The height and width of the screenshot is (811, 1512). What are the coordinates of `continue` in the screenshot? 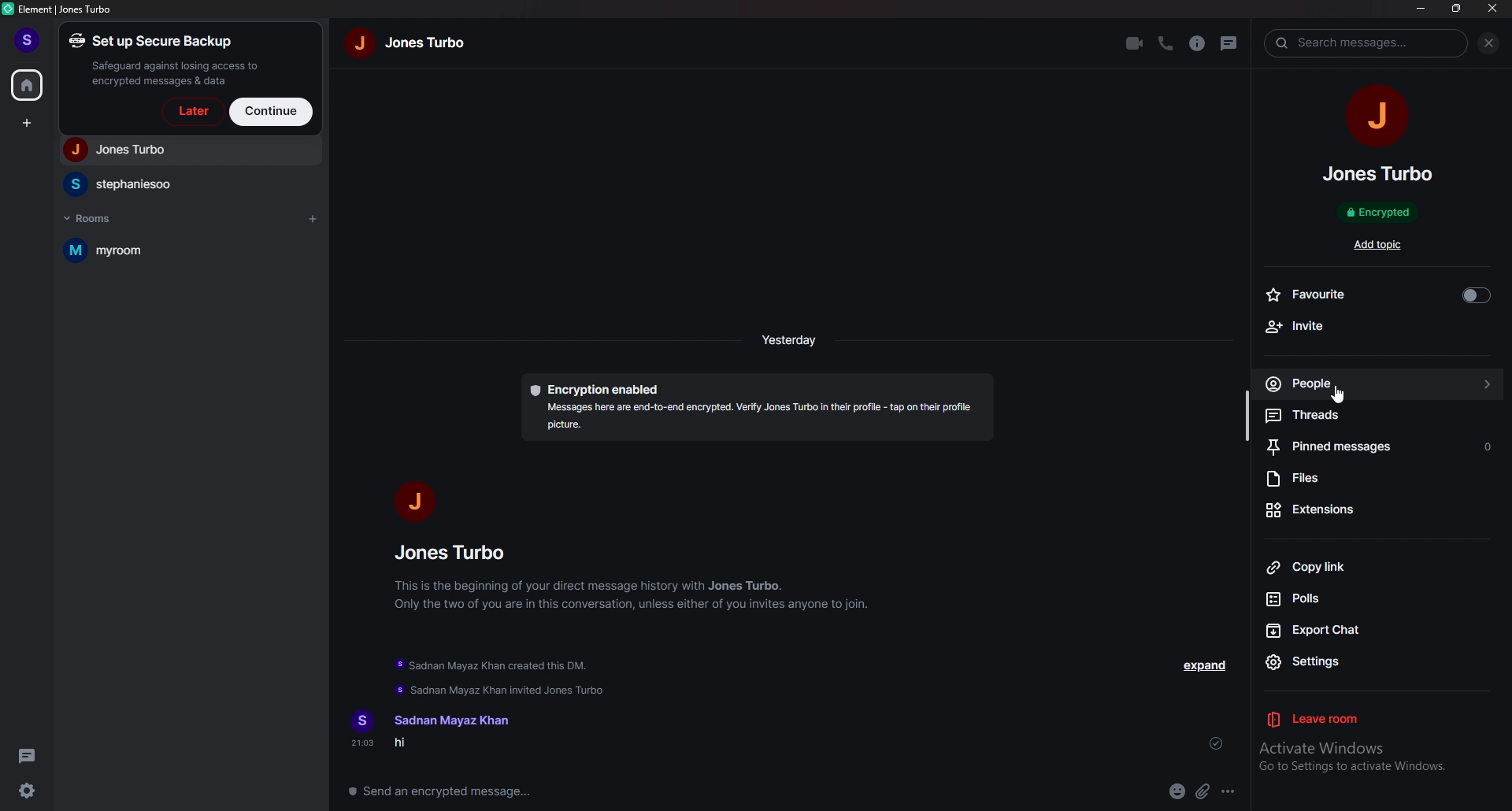 It's located at (272, 111).